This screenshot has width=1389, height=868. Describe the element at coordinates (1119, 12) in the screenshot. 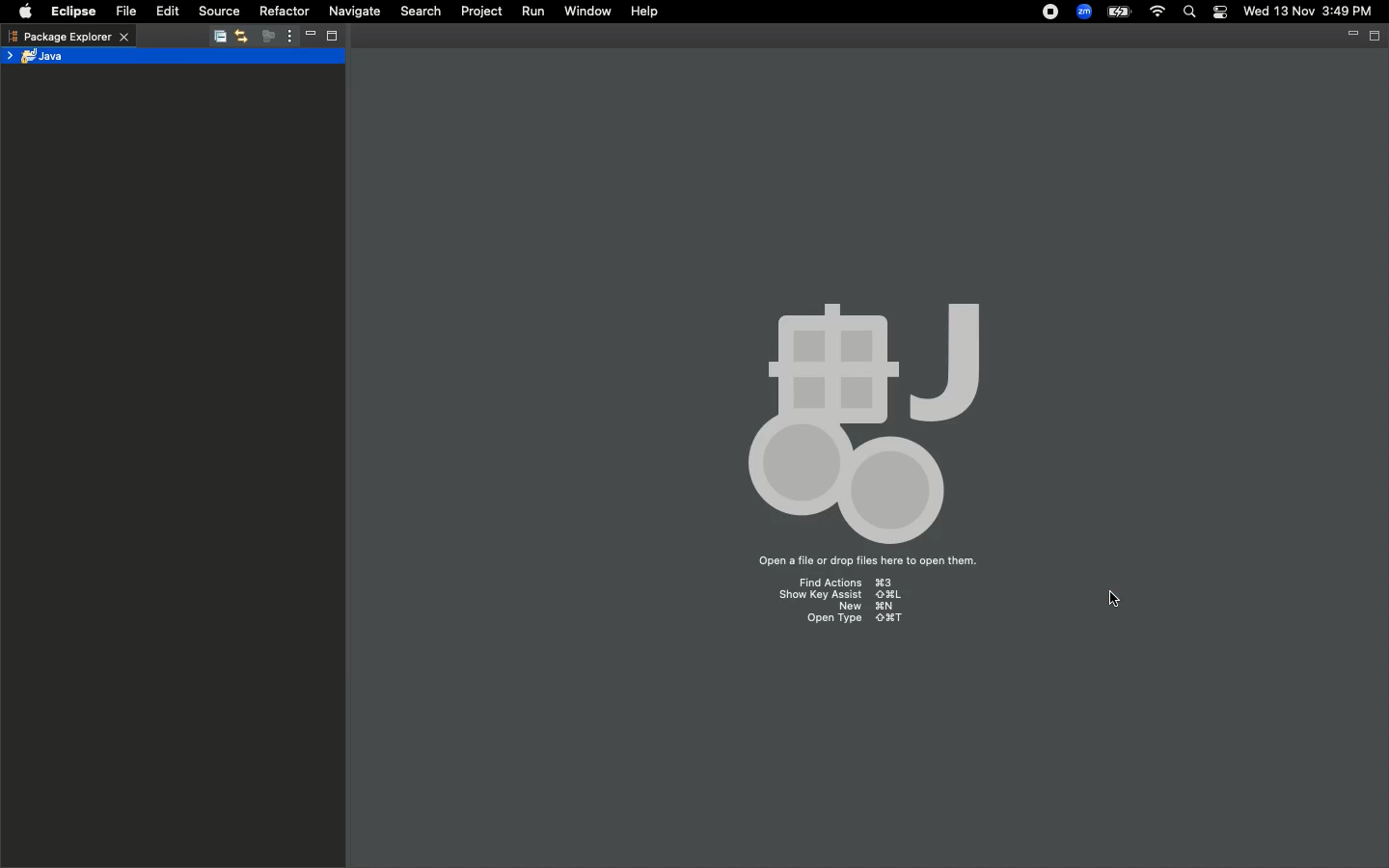

I see `Charge` at that location.